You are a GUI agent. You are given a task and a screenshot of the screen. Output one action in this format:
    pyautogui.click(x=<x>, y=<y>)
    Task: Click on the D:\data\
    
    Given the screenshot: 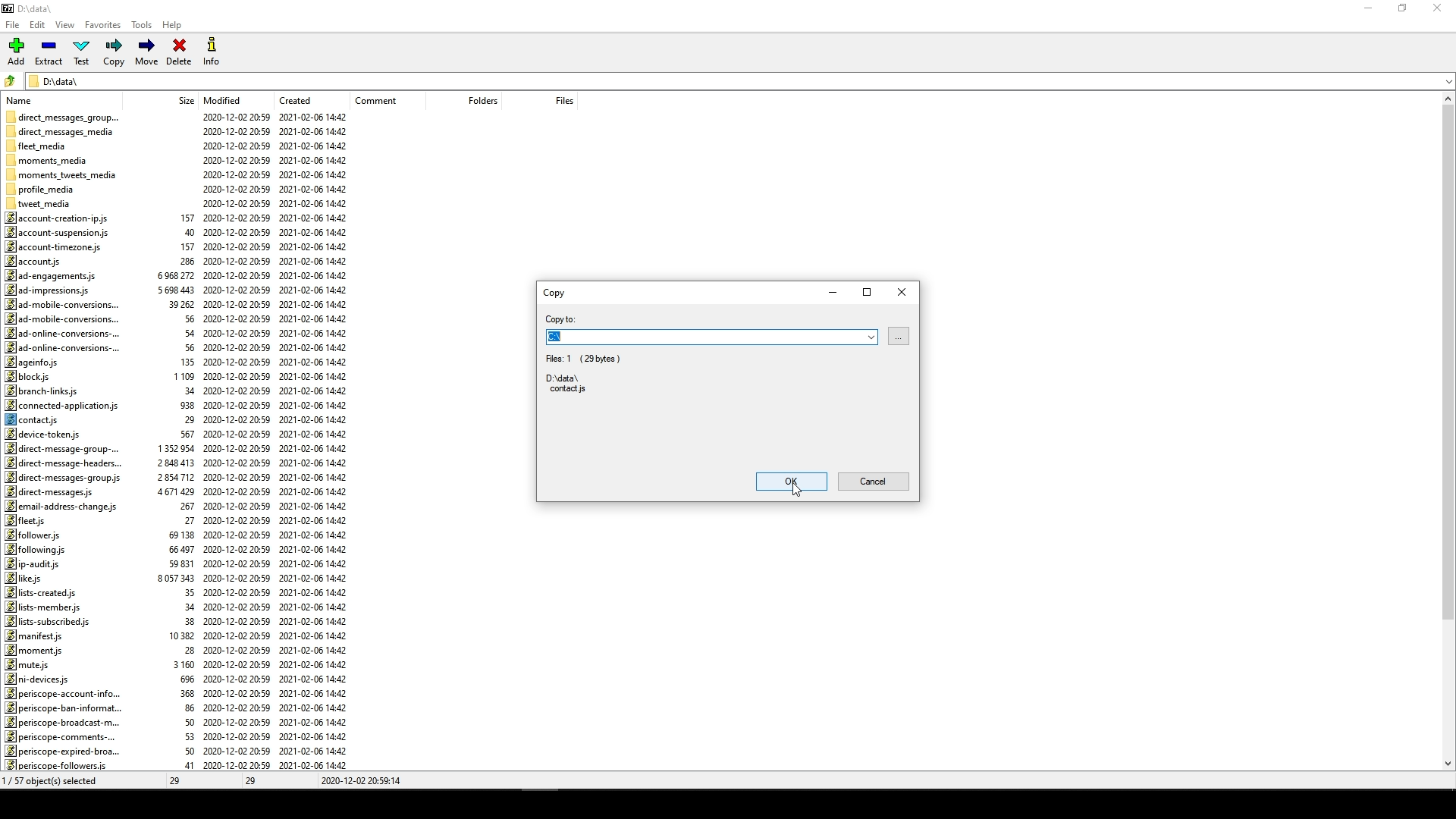 What is the action you would take?
    pyautogui.click(x=58, y=80)
    